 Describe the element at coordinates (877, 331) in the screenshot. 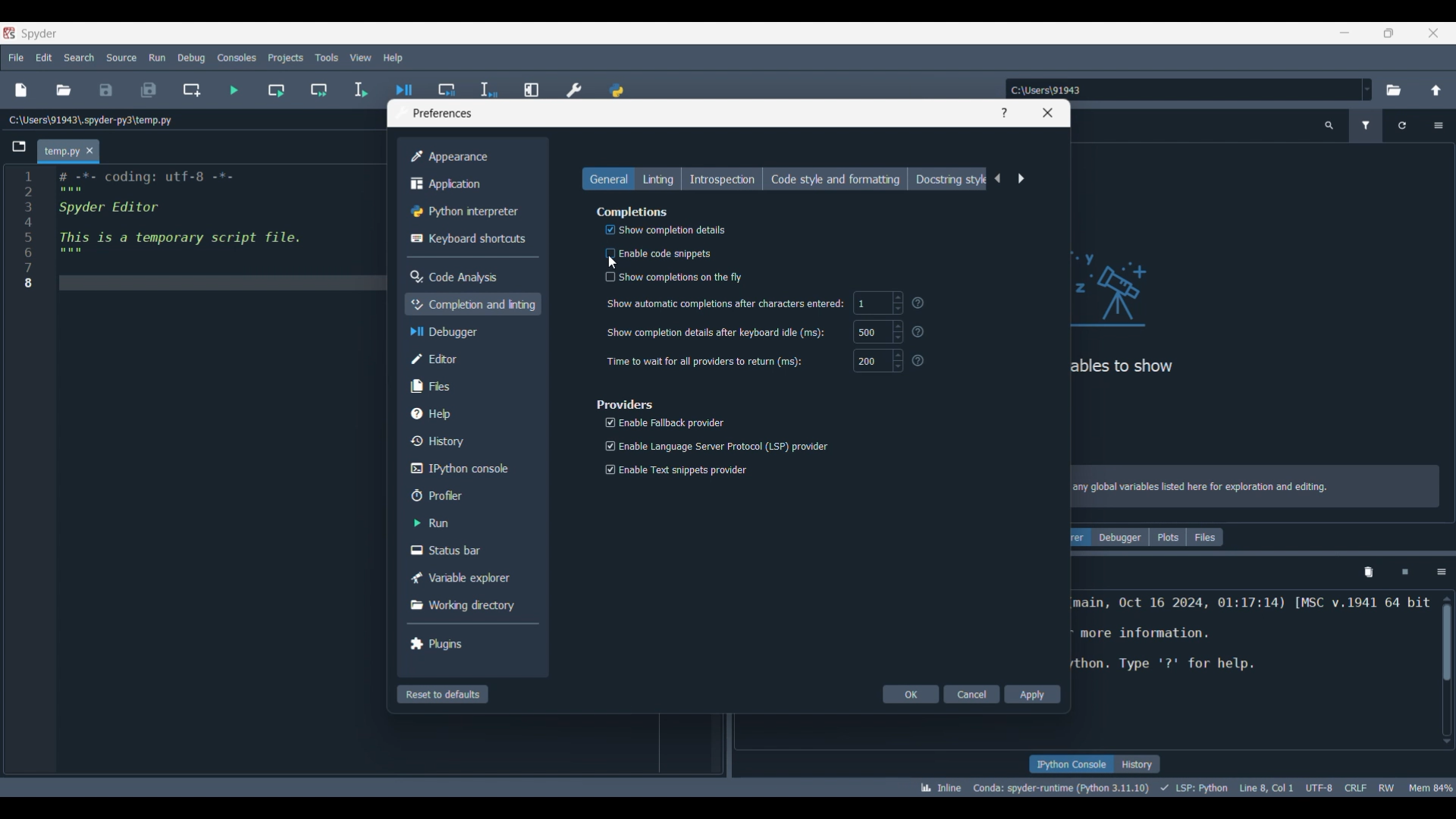

I see `500` at that location.